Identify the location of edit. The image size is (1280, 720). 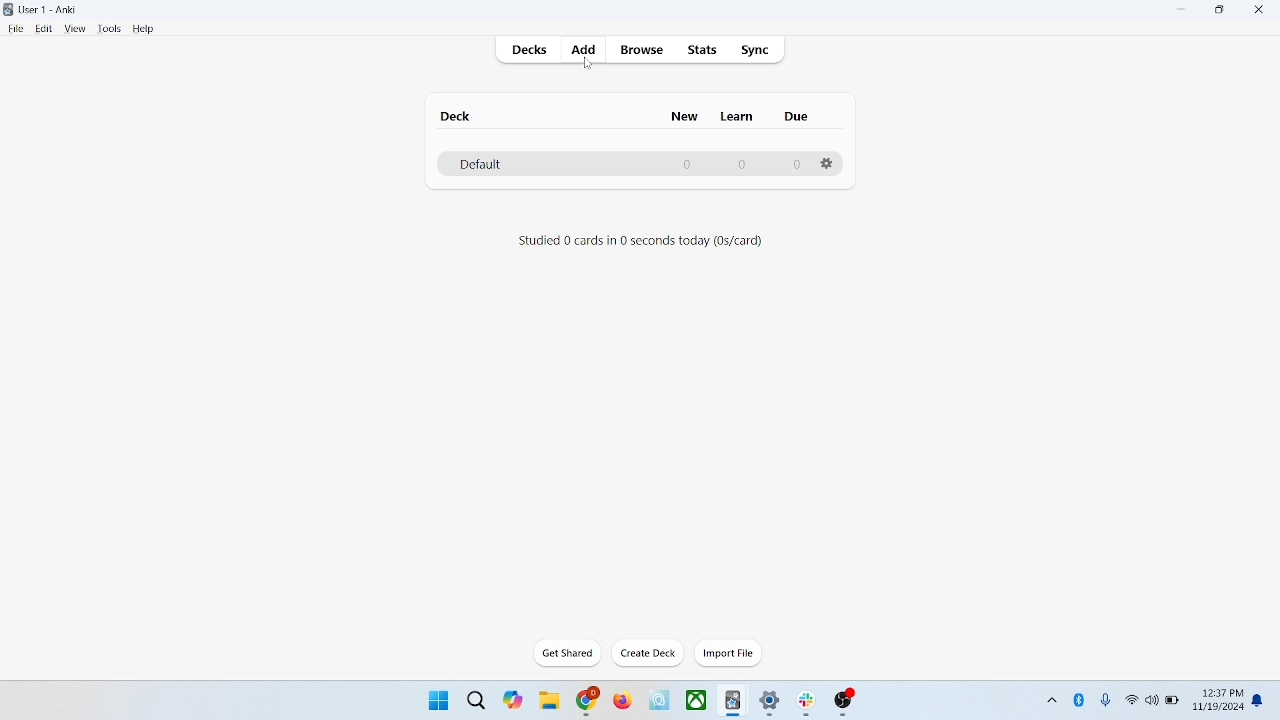
(45, 28).